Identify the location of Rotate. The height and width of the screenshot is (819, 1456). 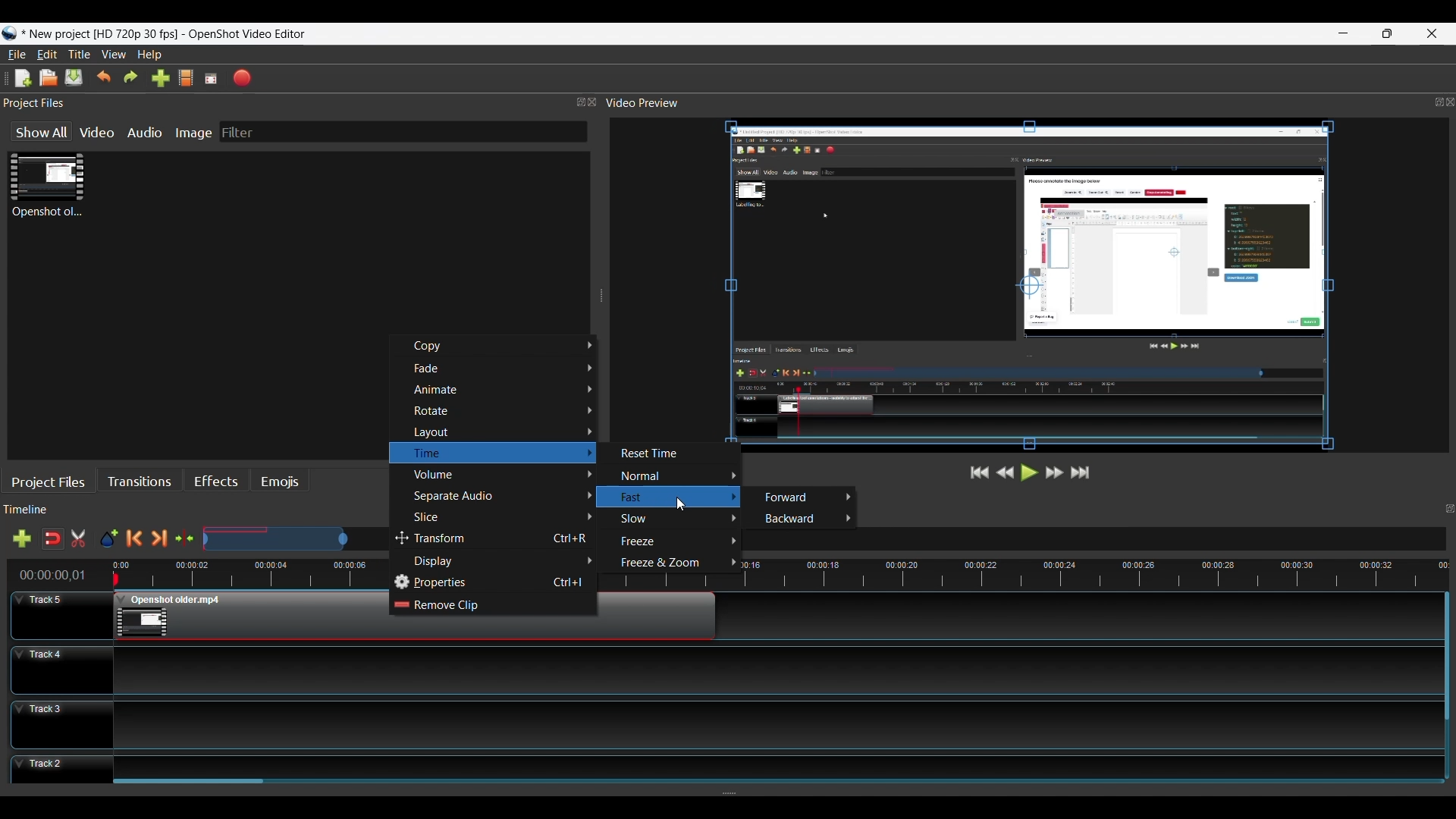
(503, 412).